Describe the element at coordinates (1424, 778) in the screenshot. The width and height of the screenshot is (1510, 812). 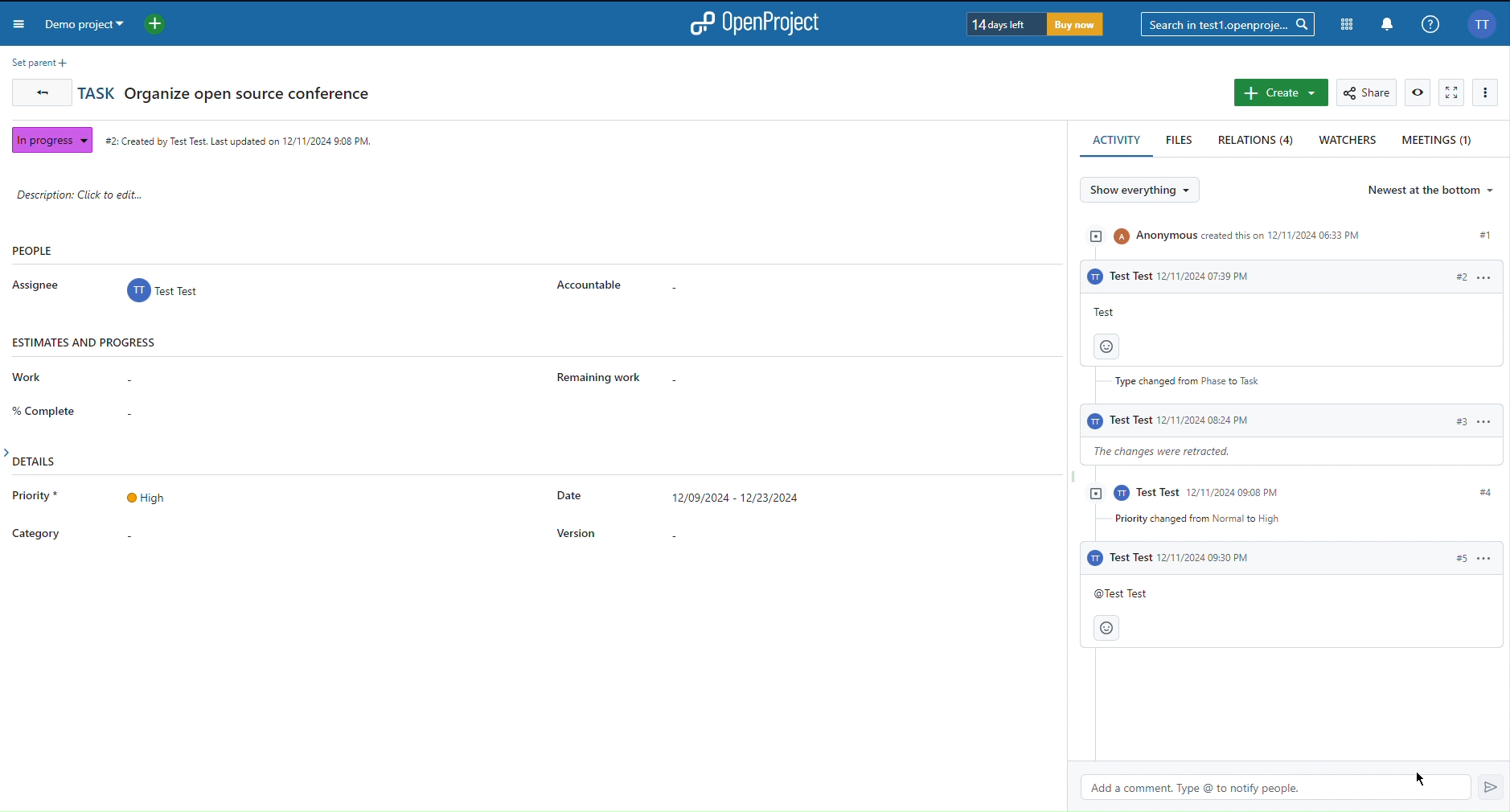
I see `Cursor` at that location.